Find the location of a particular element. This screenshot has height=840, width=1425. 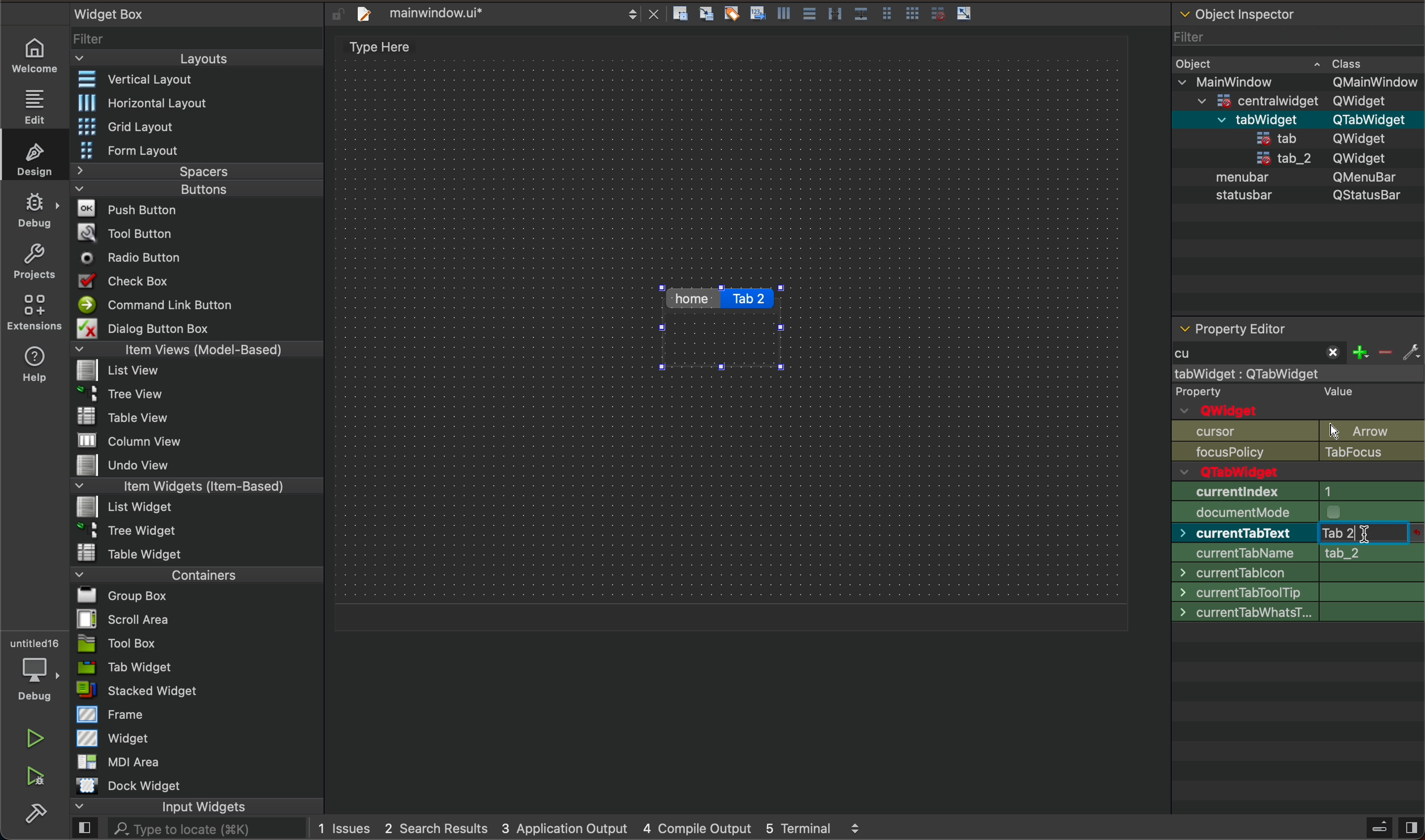

= stacked Widget is located at coordinates (144, 691).